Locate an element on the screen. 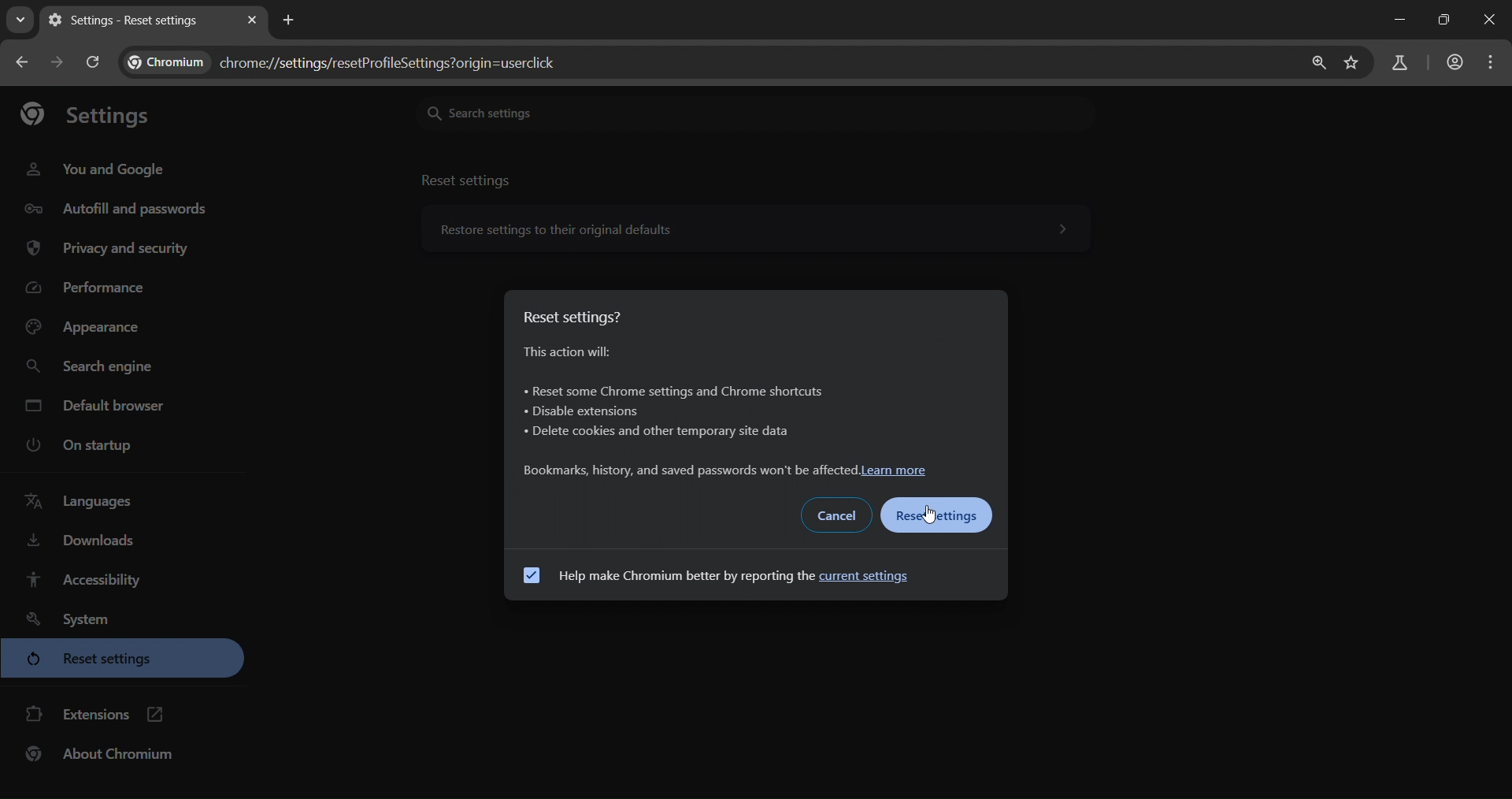  settings - reset settings is located at coordinates (127, 20).